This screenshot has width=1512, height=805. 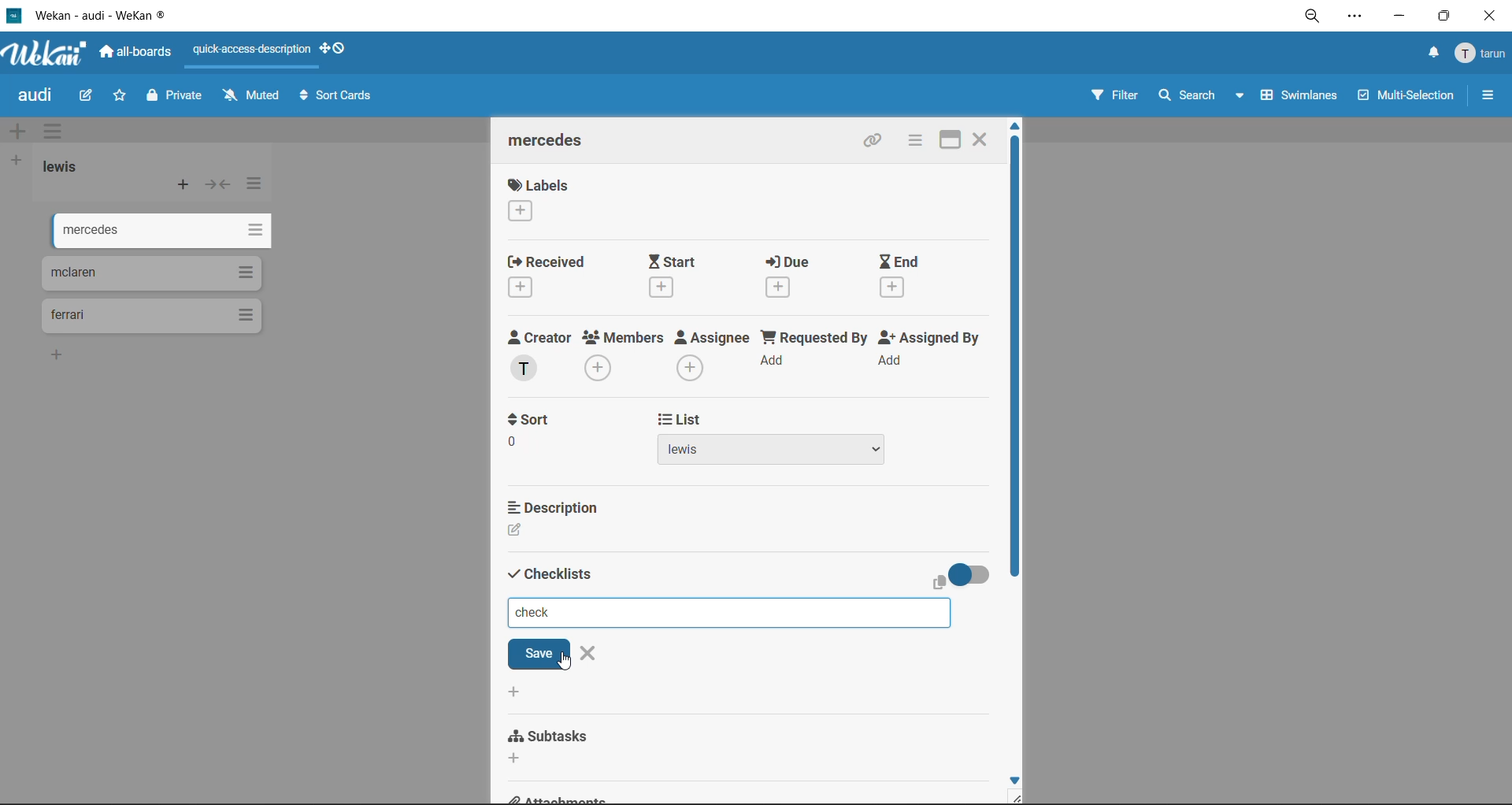 What do you see at coordinates (558, 532) in the screenshot?
I see `description` at bounding box center [558, 532].